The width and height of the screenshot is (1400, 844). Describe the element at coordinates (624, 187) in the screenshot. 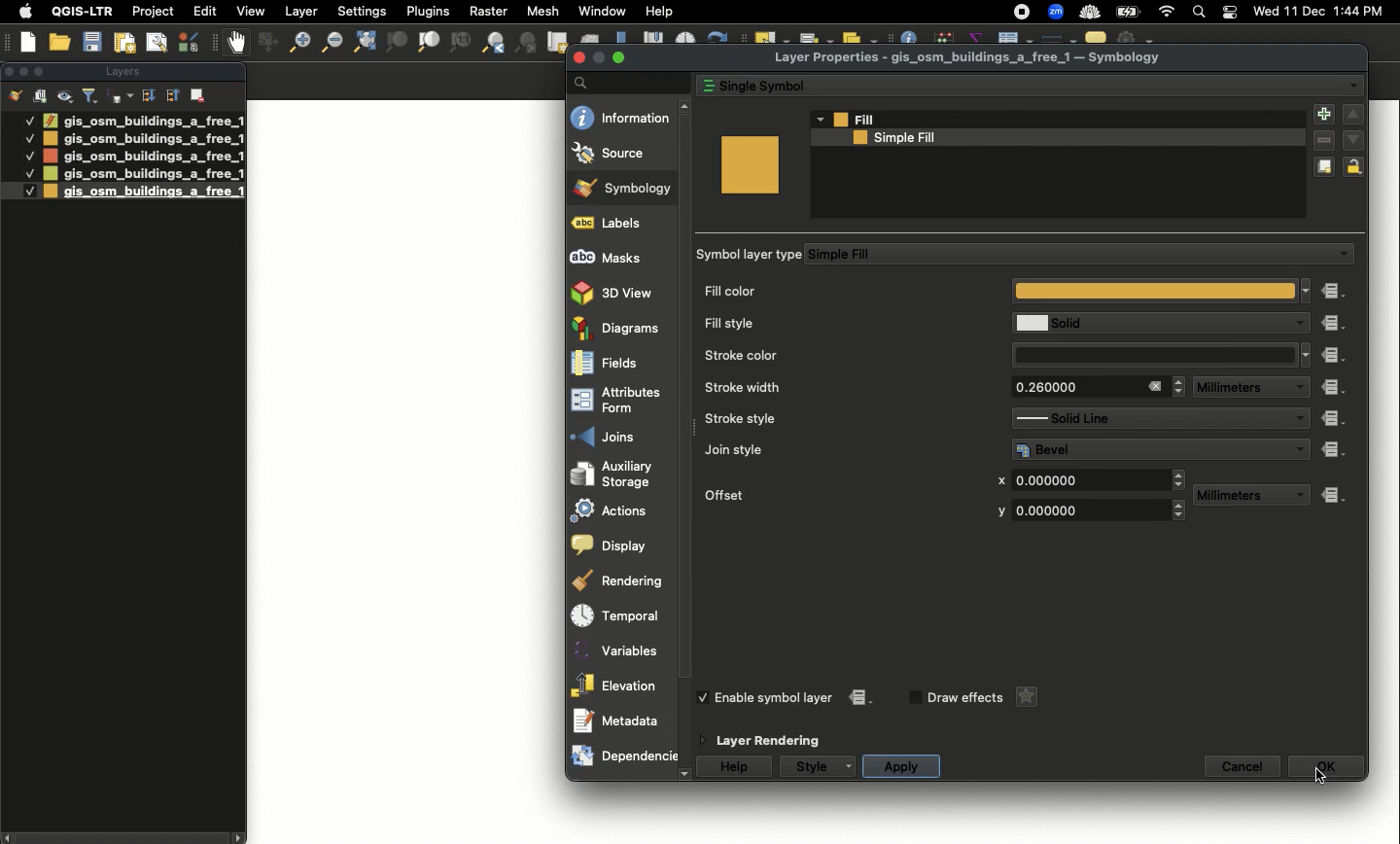

I see `Symbology` at that location.